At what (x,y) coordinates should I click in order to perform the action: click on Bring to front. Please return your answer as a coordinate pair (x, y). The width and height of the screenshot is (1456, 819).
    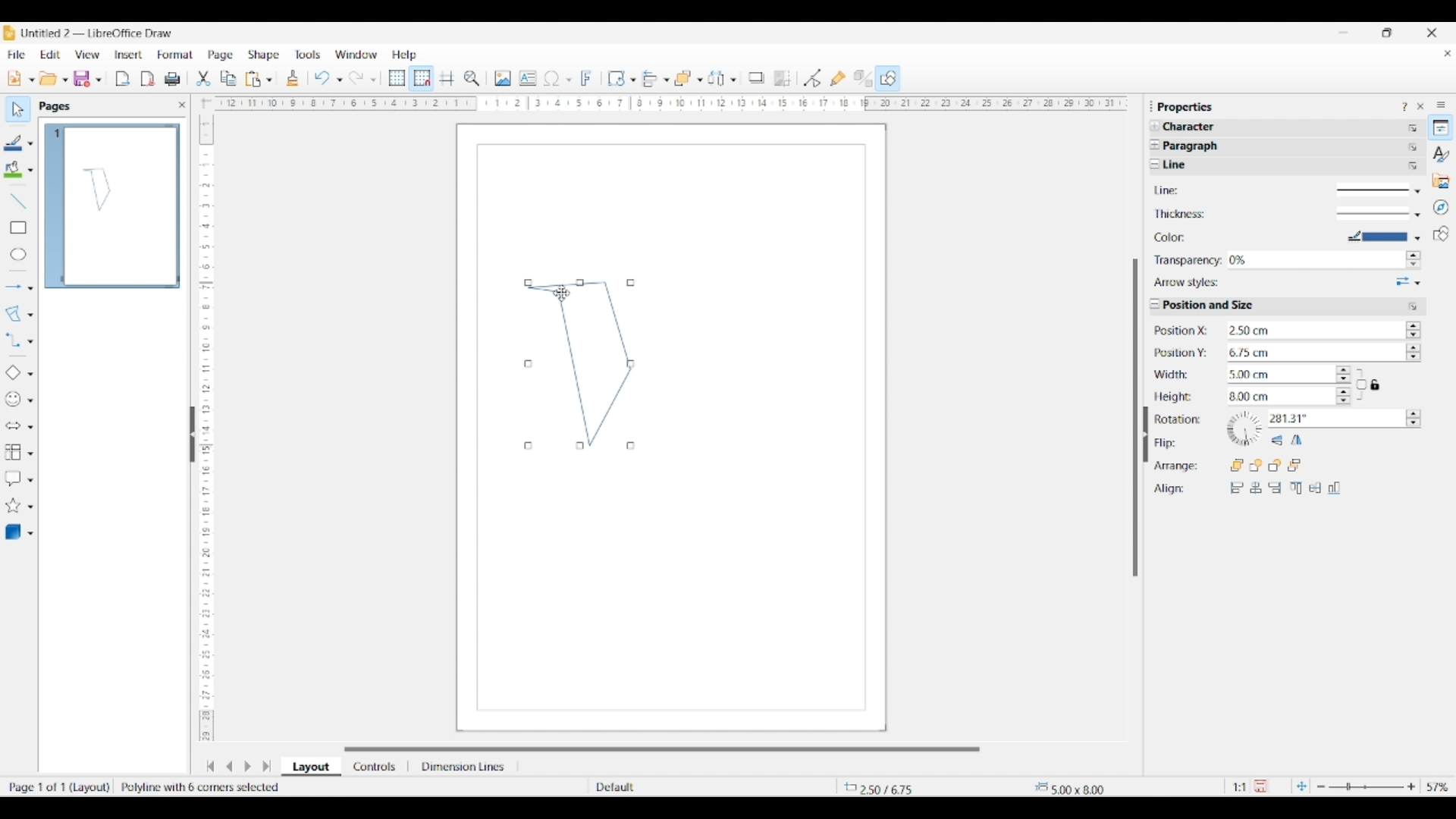
    Looking at the image, I should click on (1238, 465).